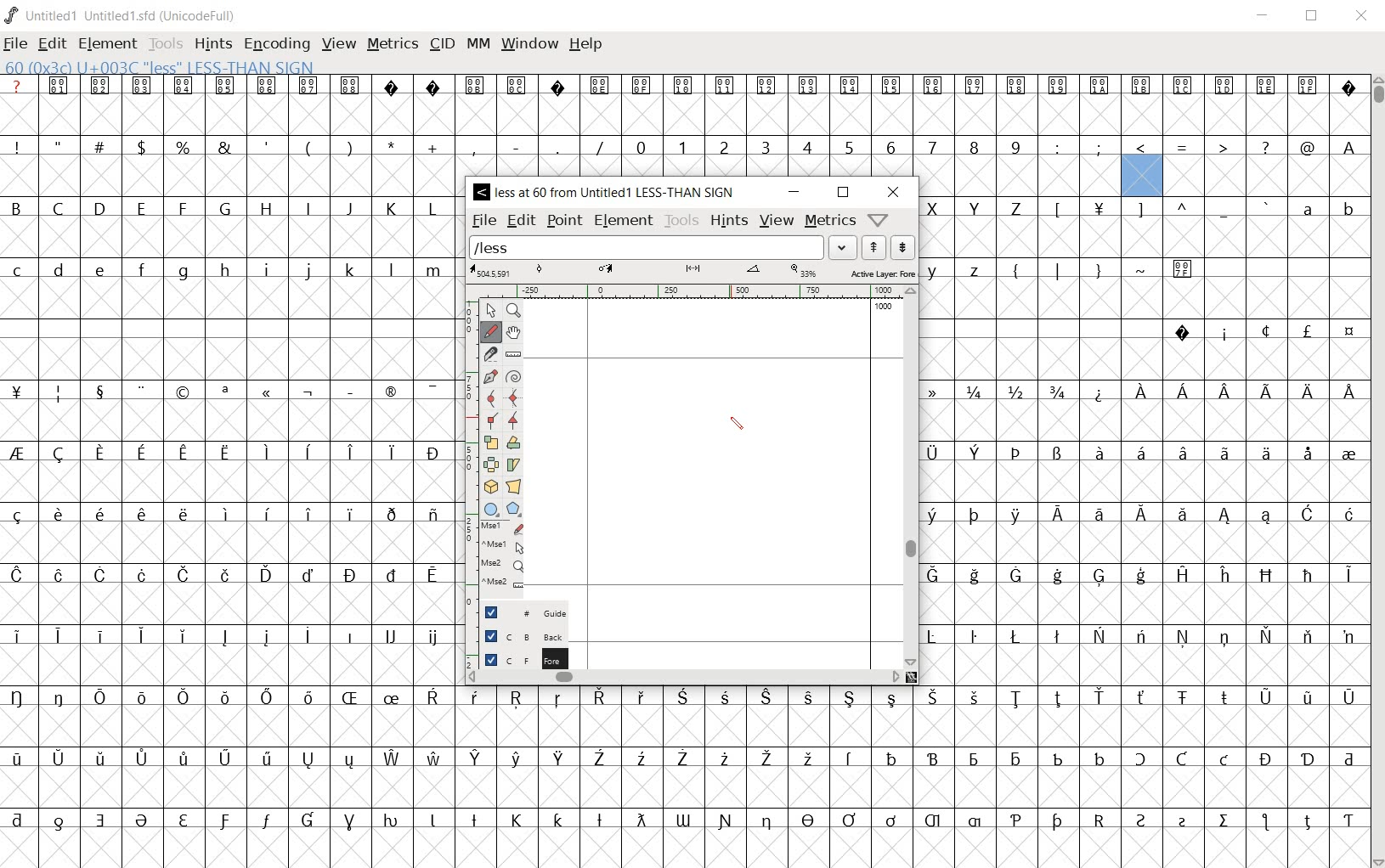 This screenshot has height=868, width=1385. What do you see at coordinates (441, 45) in the screenshot?
I see `cid` at bounding box center [441, 45].